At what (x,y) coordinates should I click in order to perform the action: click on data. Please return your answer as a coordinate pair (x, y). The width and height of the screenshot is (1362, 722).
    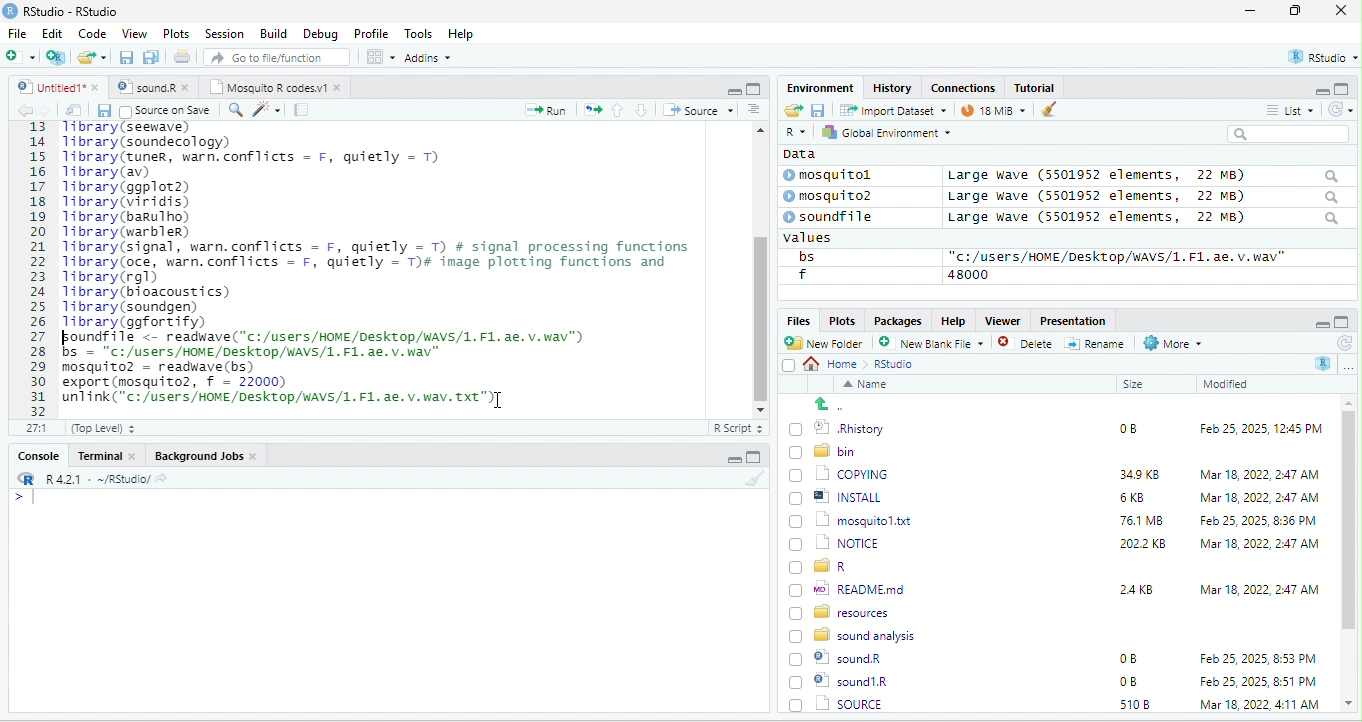
    Looking at the image, I should click on (797, 153).